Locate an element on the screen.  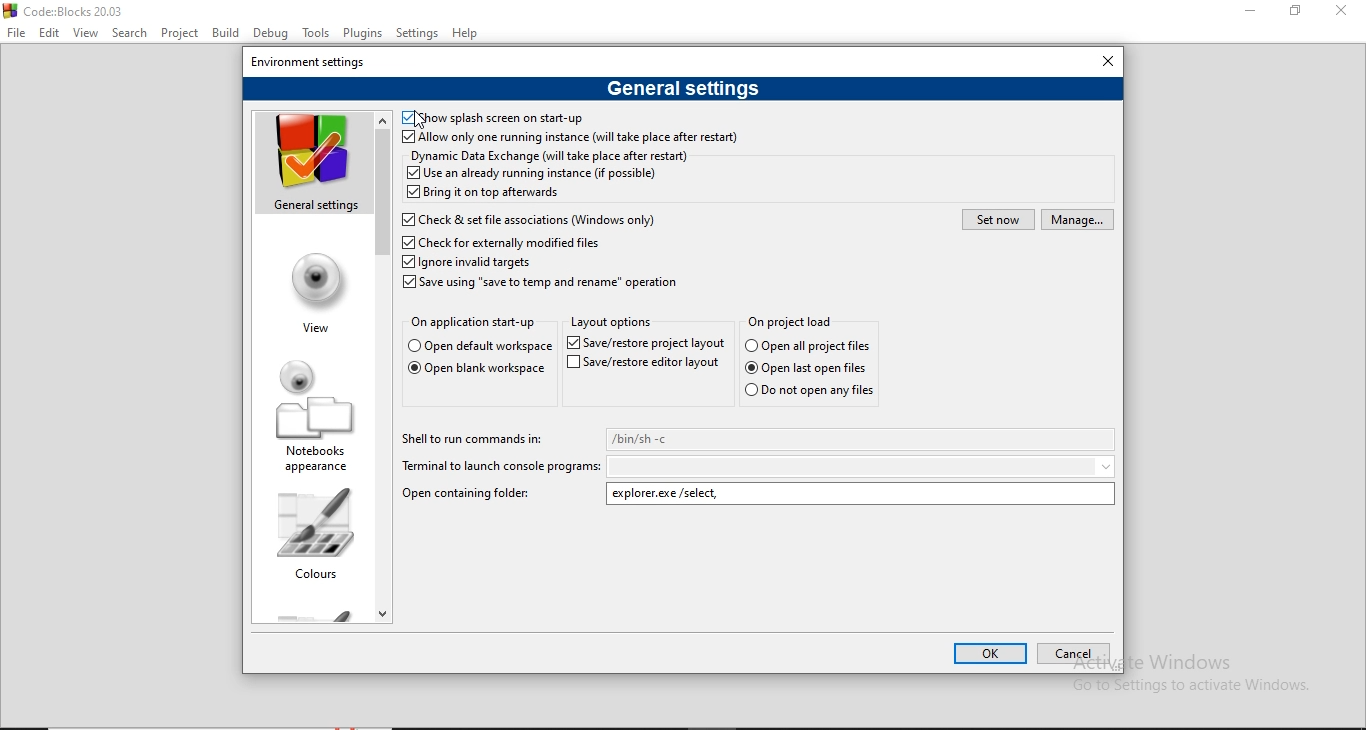
Open default workspace is located at coordinates (481, 347).